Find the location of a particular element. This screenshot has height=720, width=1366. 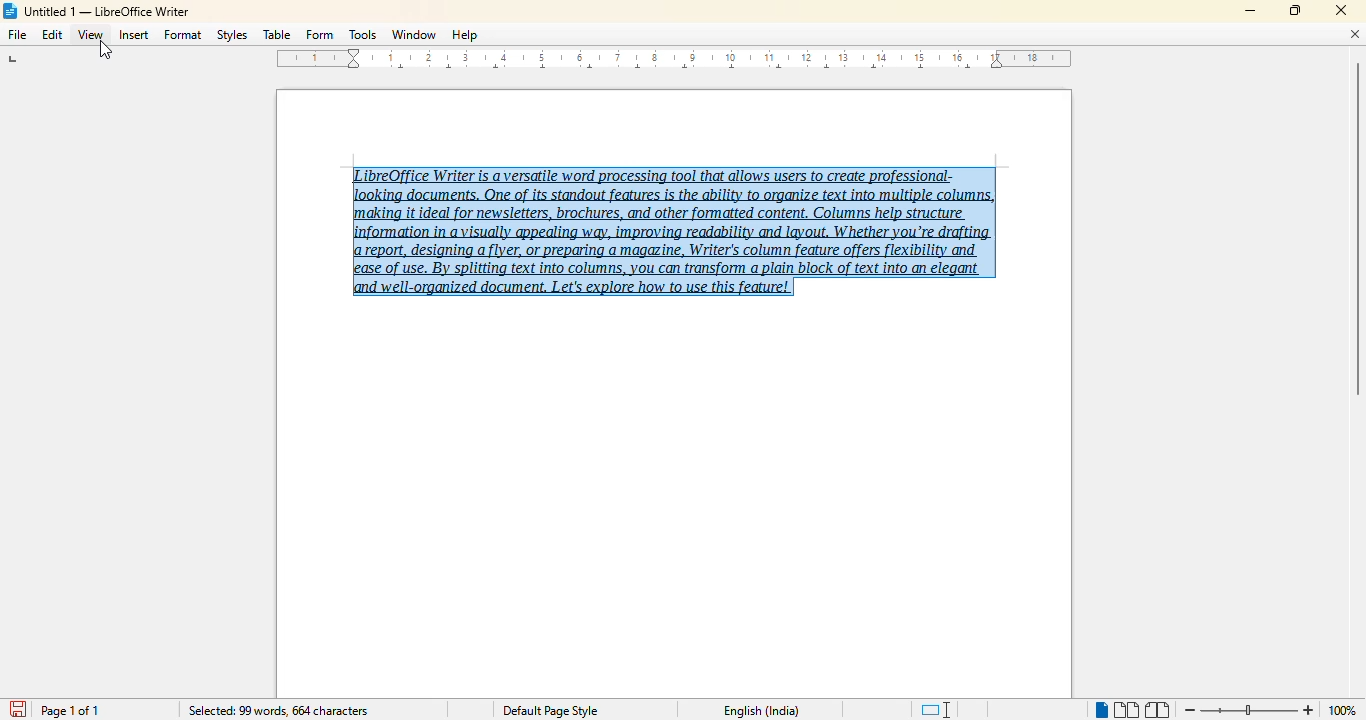

save document is located at coordinates (19, 708).